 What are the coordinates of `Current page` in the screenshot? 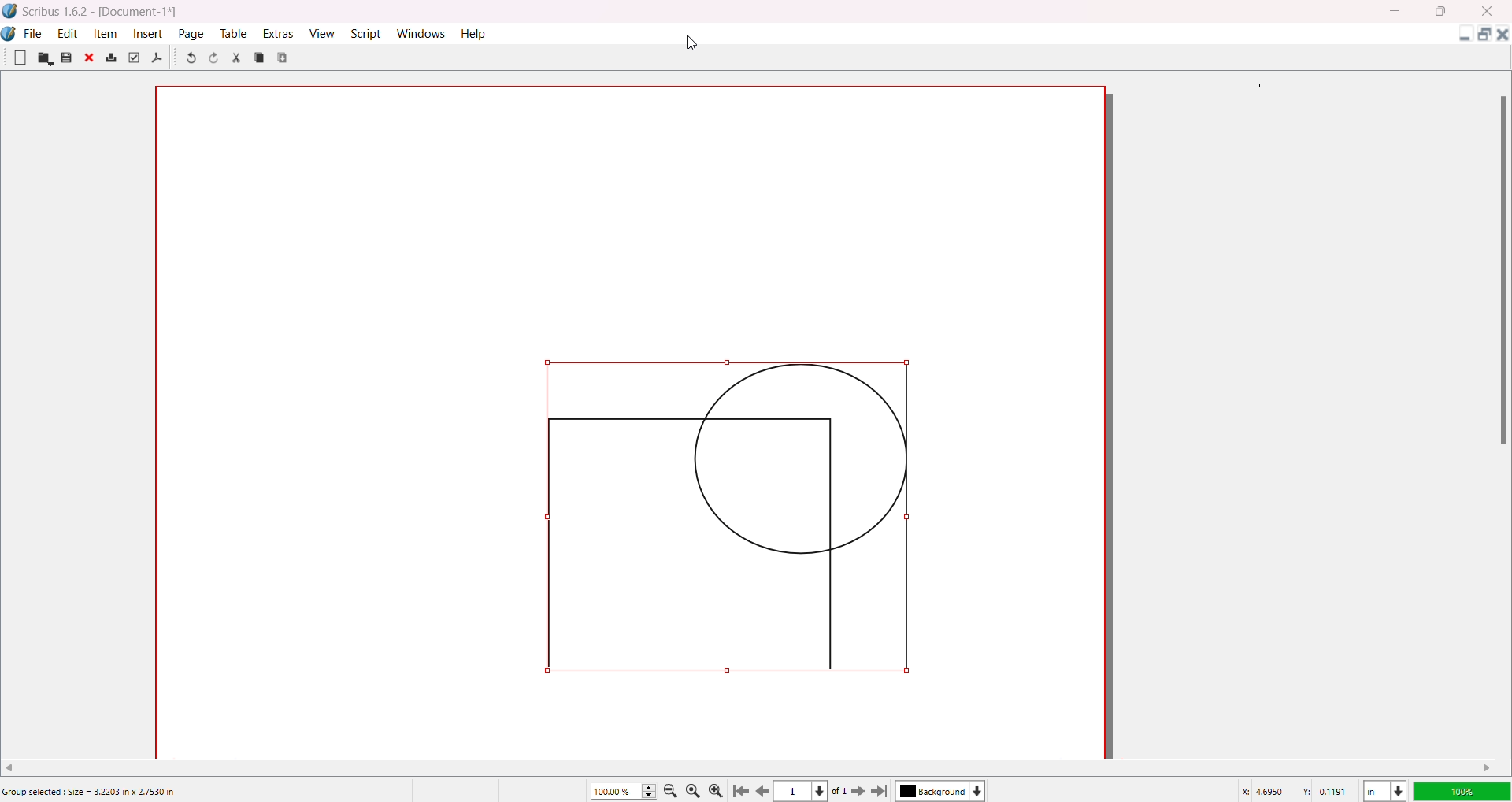 It's located at (795, 792).